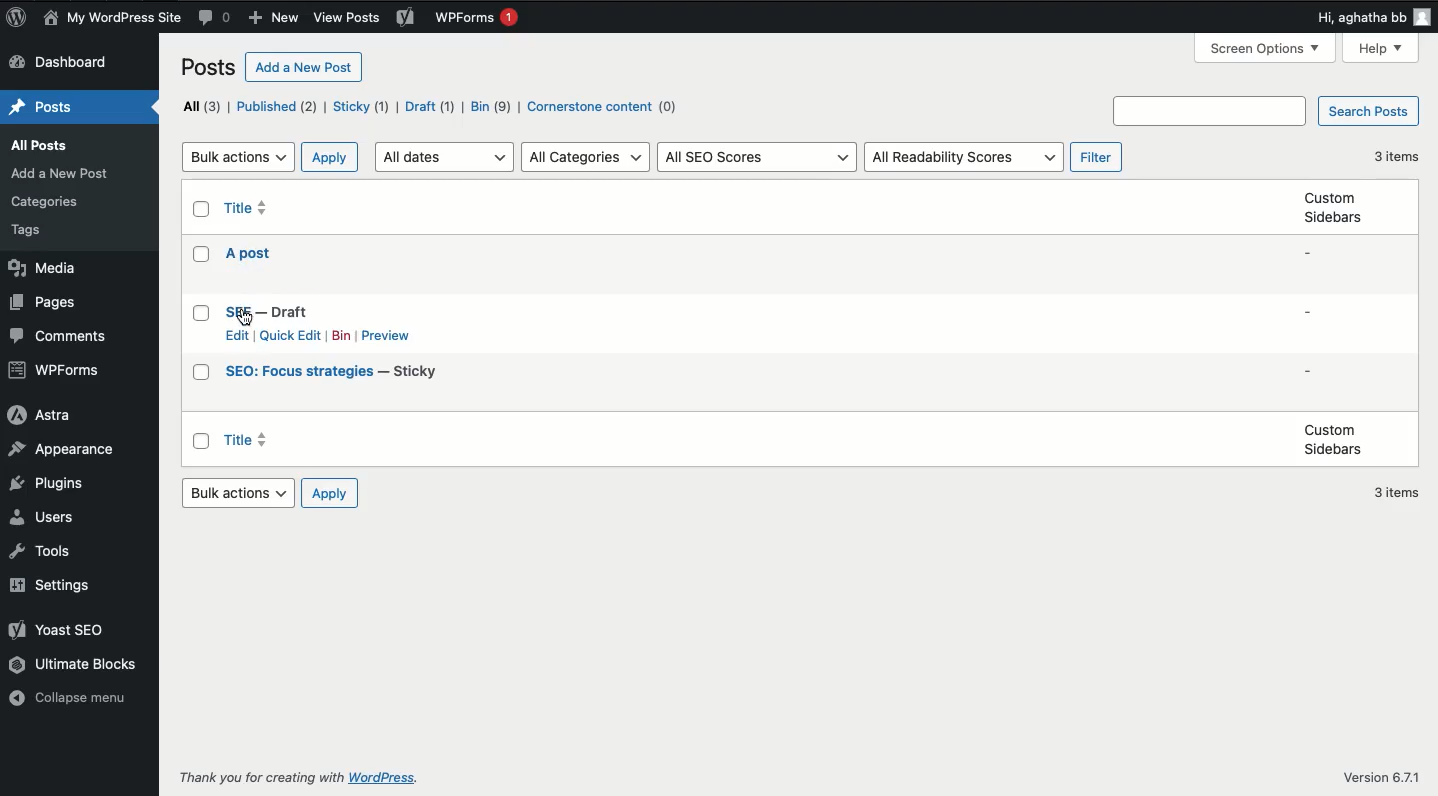 The height and width of the screenshot is (796, 1438). What do you see at coordinates (409, 16) in the screenshot?
I see `Yoast` at bounding box center [409, 16].